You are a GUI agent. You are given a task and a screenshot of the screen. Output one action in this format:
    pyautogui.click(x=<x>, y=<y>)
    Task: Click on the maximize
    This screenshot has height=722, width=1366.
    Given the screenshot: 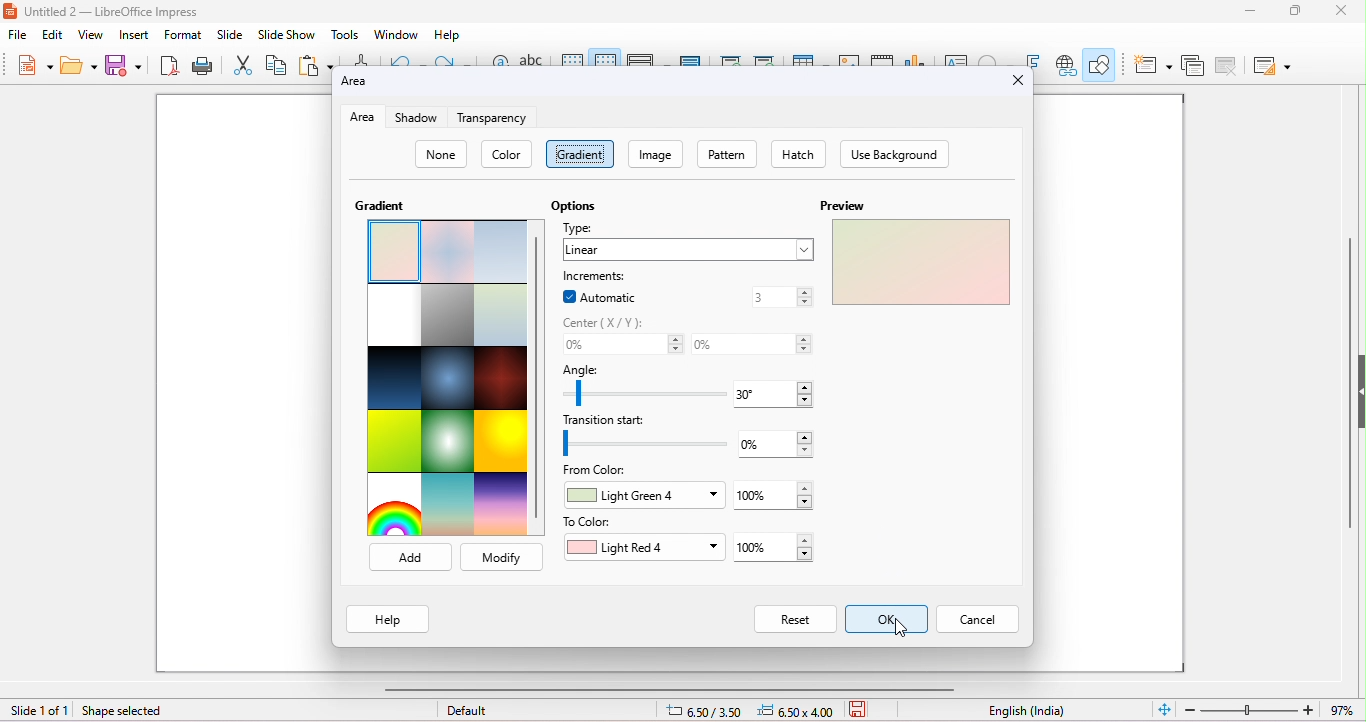 What is the action you would take?
    pyautogui.click(x=1298, y=11)
    